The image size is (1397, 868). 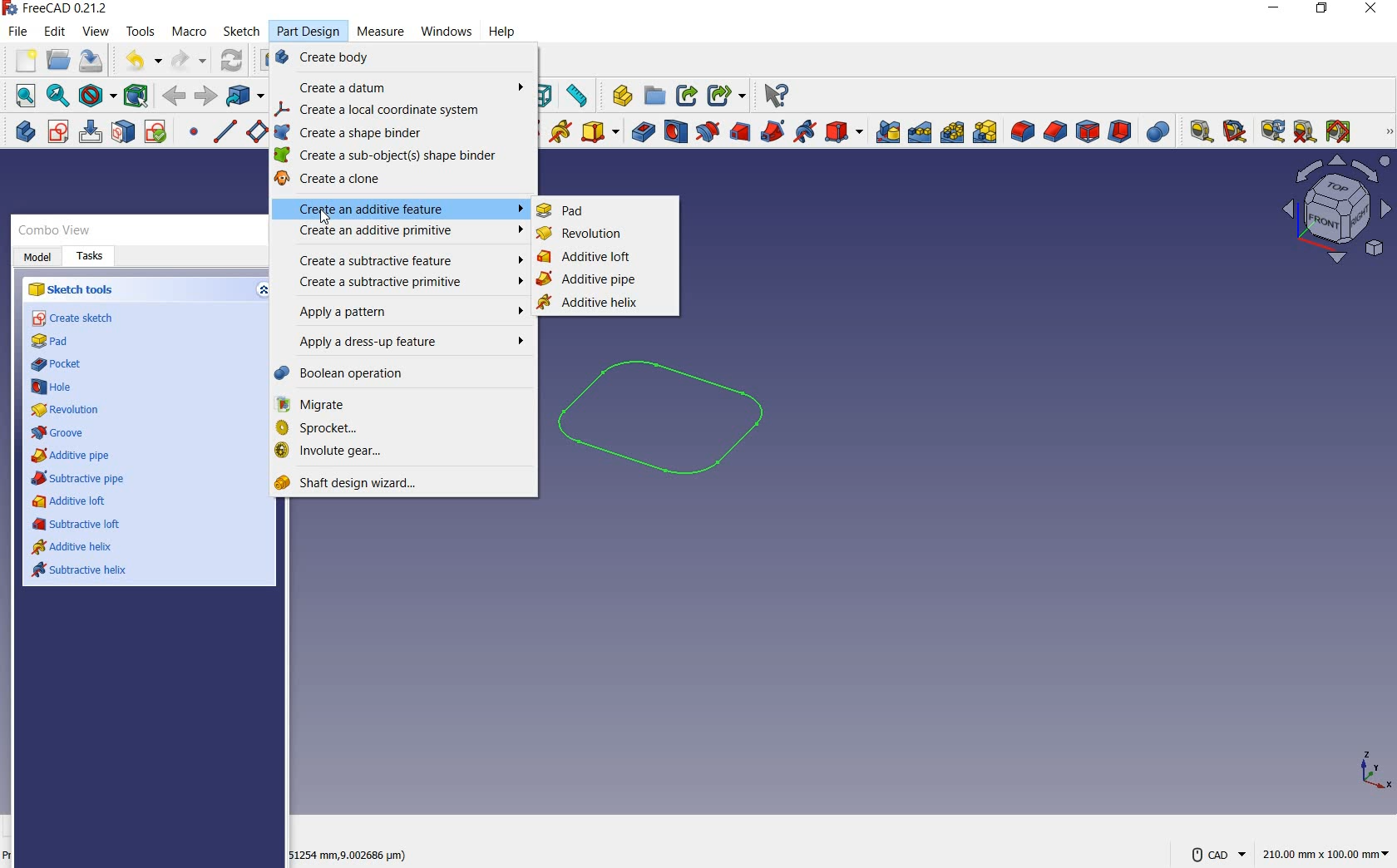 What do you see at coordinates (1120, 132) in the screenshot?
I see `thickness` at bounding box center [1120, 132].